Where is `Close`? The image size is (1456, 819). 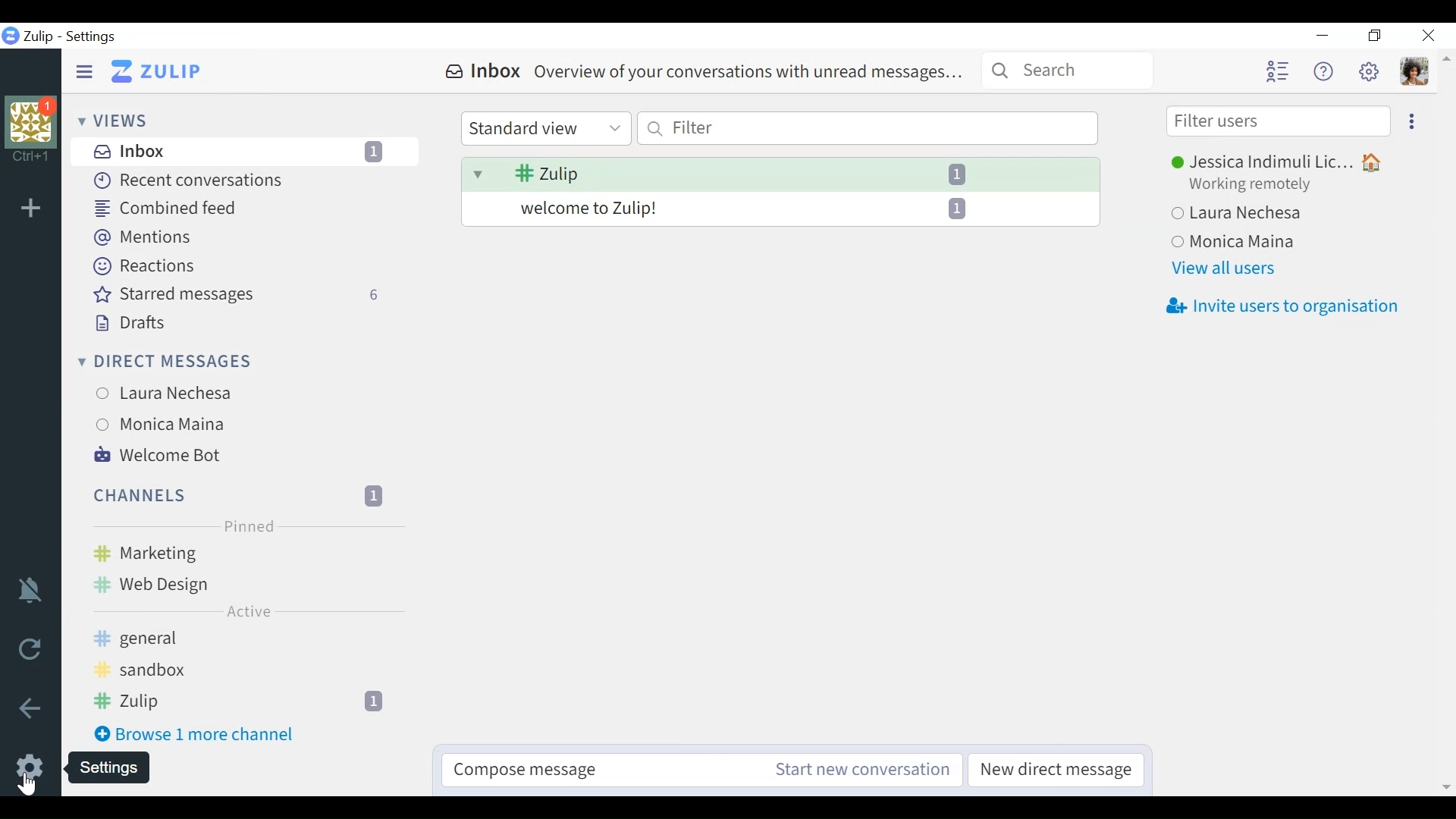
Close is located at coordinates (1427, 36).